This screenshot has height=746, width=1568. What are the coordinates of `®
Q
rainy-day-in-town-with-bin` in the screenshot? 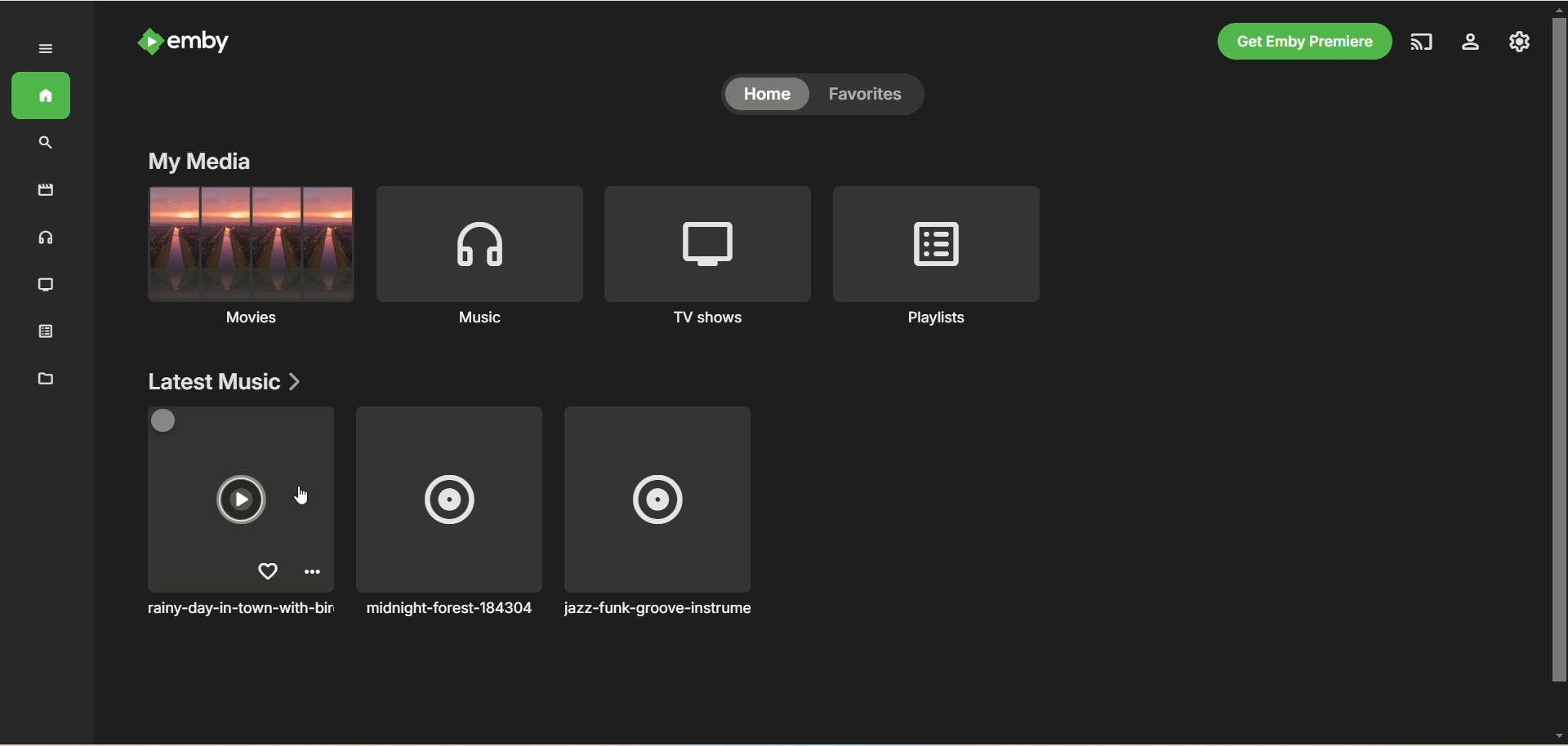 It's located at (238, 513).